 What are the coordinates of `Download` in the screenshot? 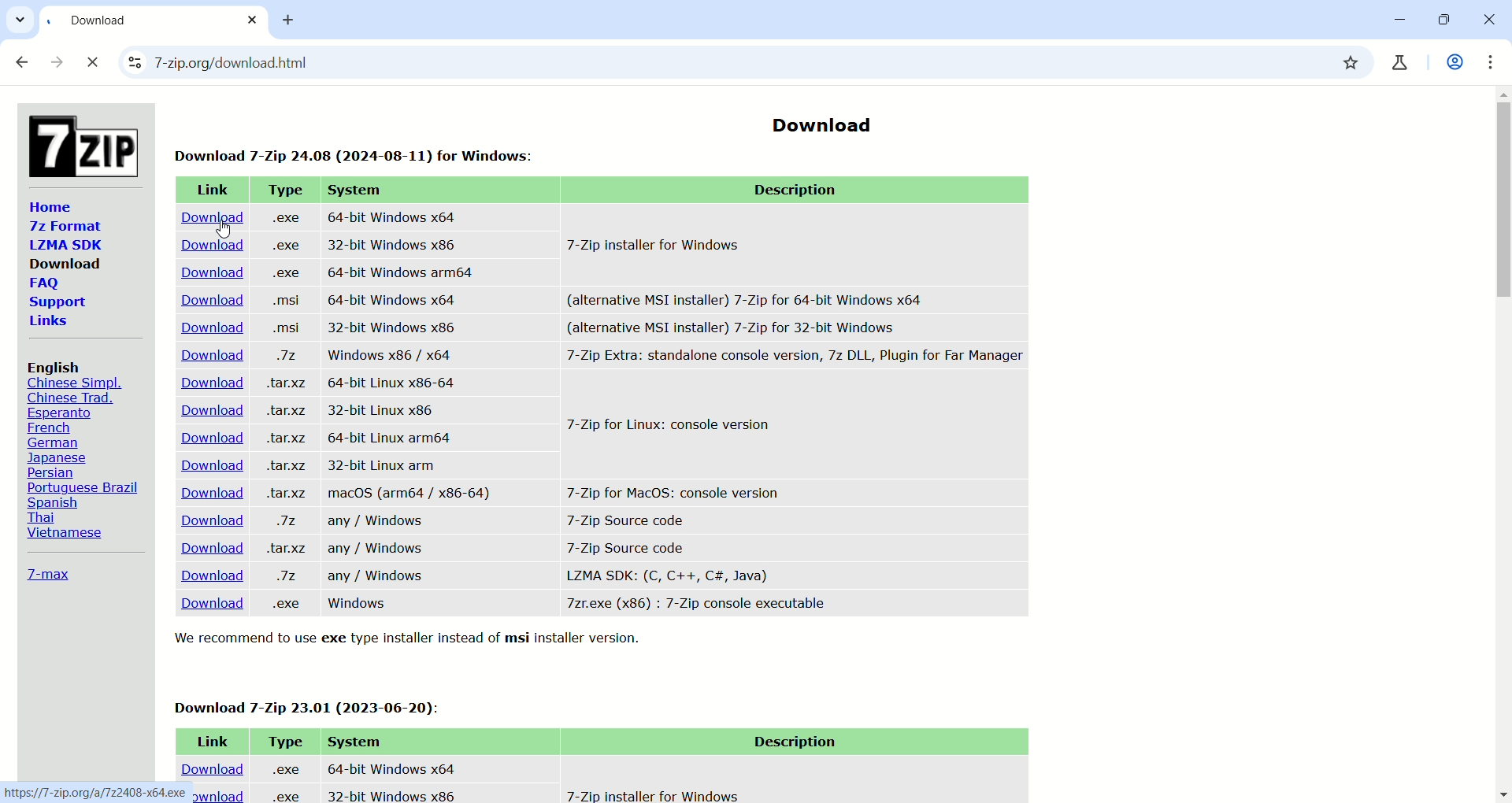 It's located at (208, 548).